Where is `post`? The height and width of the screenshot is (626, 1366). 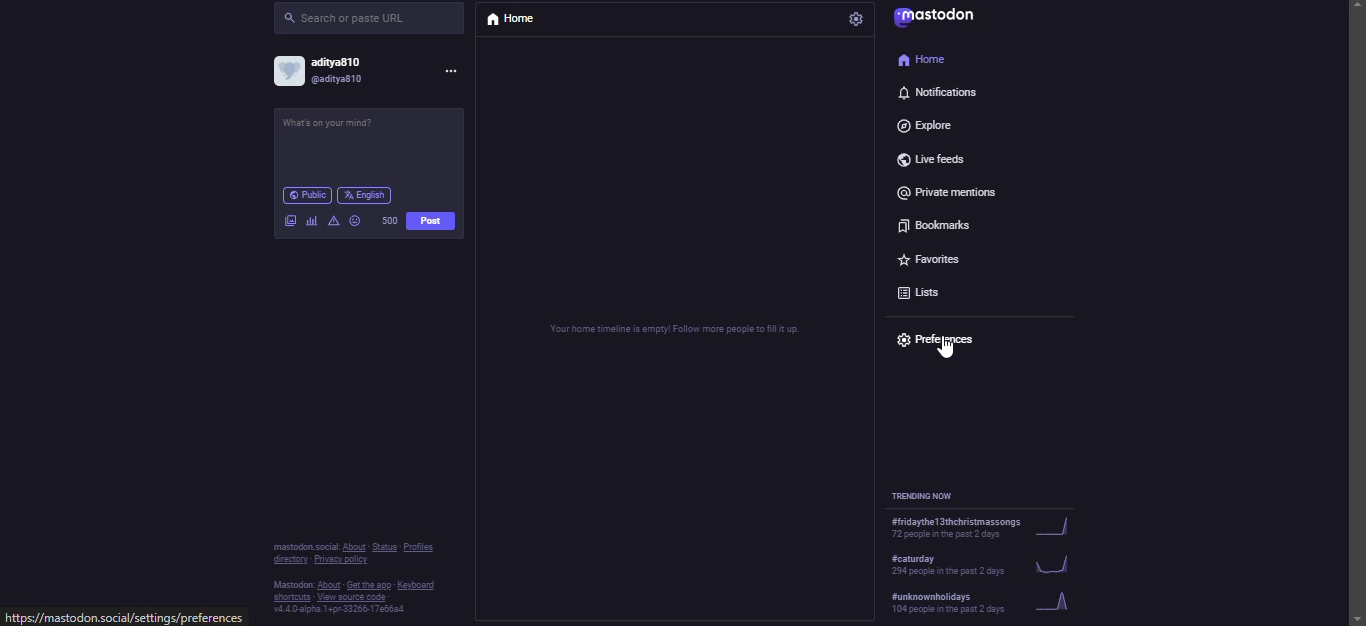
post is located at coordinates (435, 221).